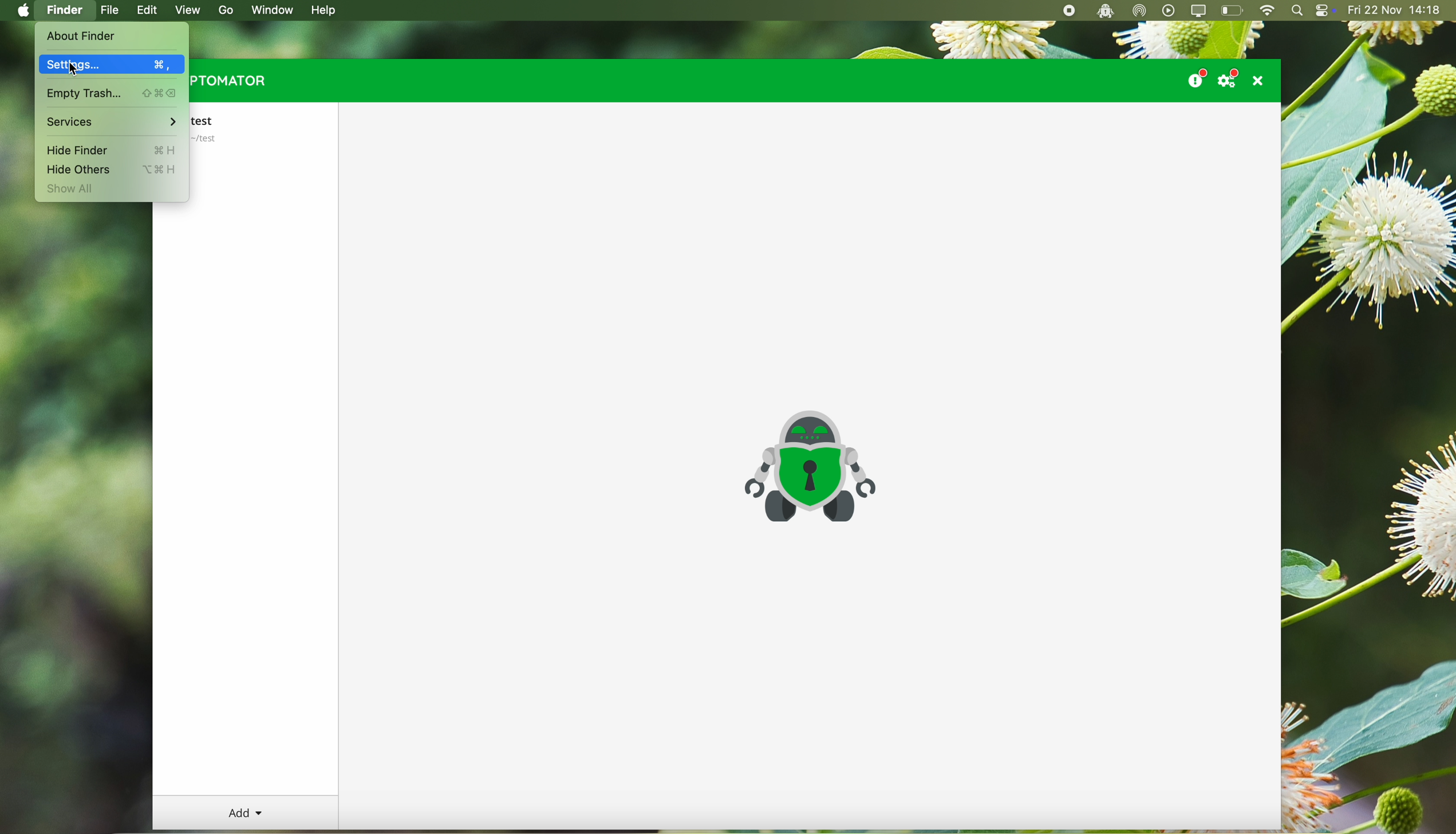  What do you see at coordinates (109, 170) in the screenshot?
I see `hide others` at bounding box center [109, 170].